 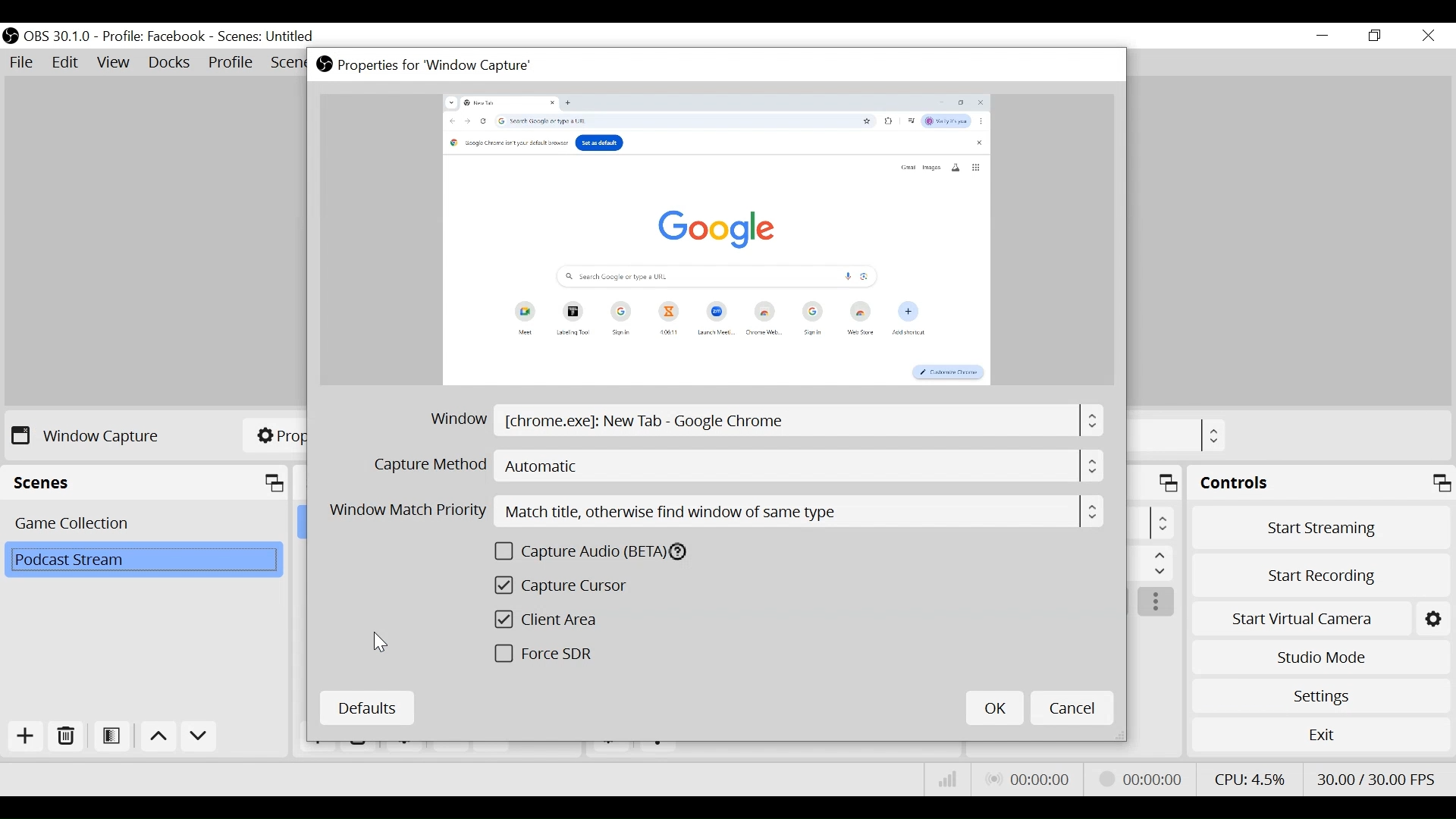 I want to click on OBS Studio Desktop Icon, so click(x=11, y=36).